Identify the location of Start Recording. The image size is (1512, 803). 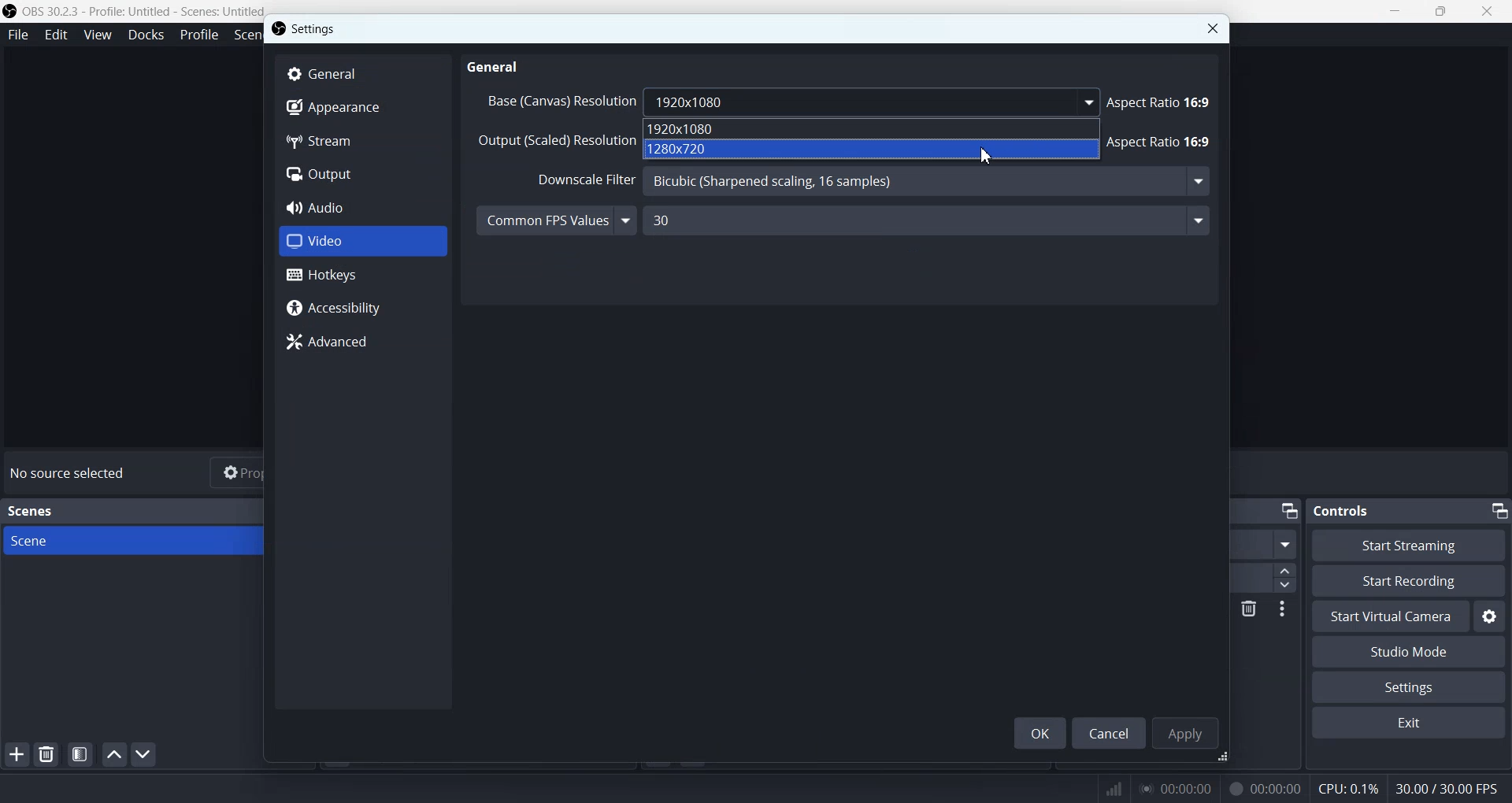
(1410, 581).